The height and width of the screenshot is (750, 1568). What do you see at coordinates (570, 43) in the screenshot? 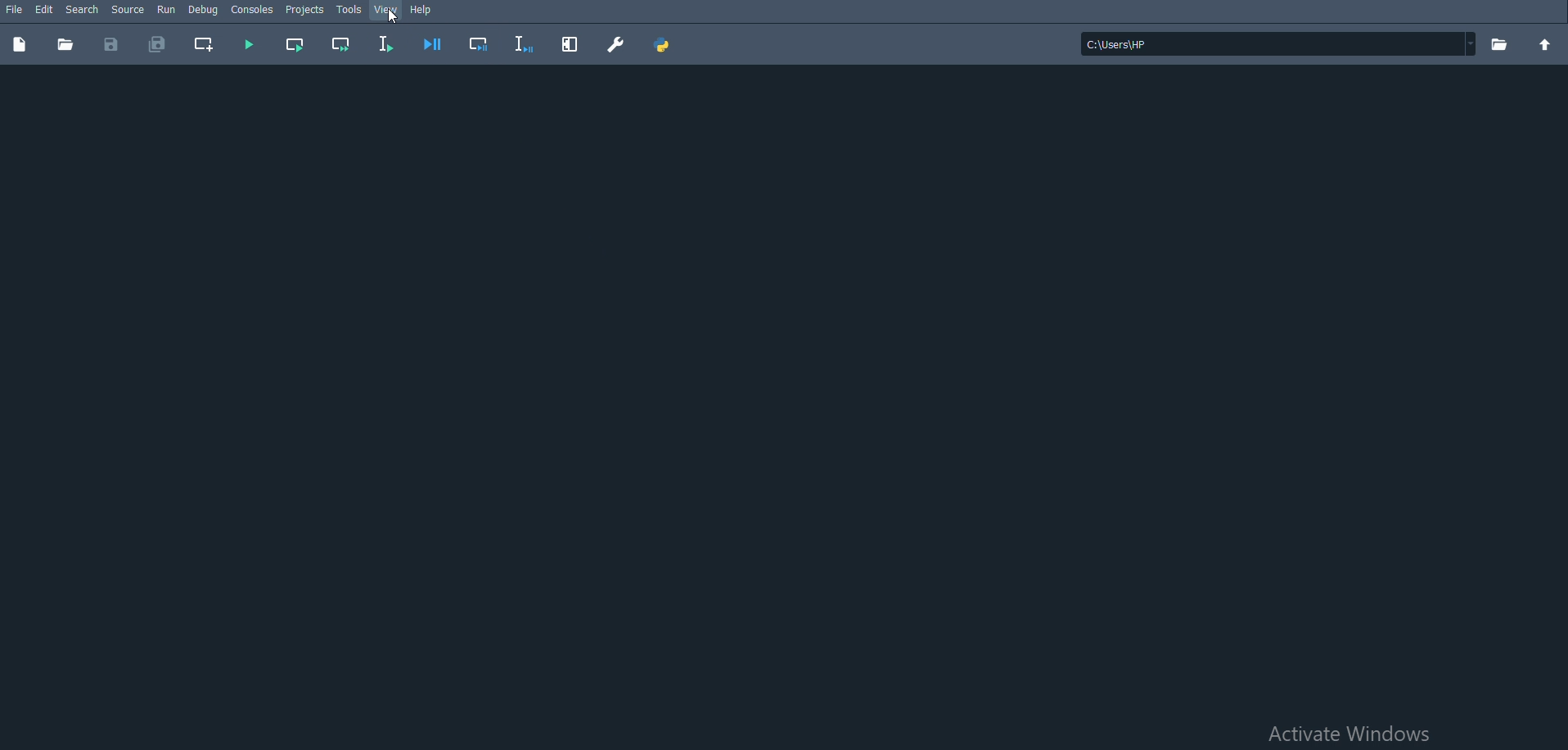
I see `Maximize current pane` at bounding box center [570, 43].